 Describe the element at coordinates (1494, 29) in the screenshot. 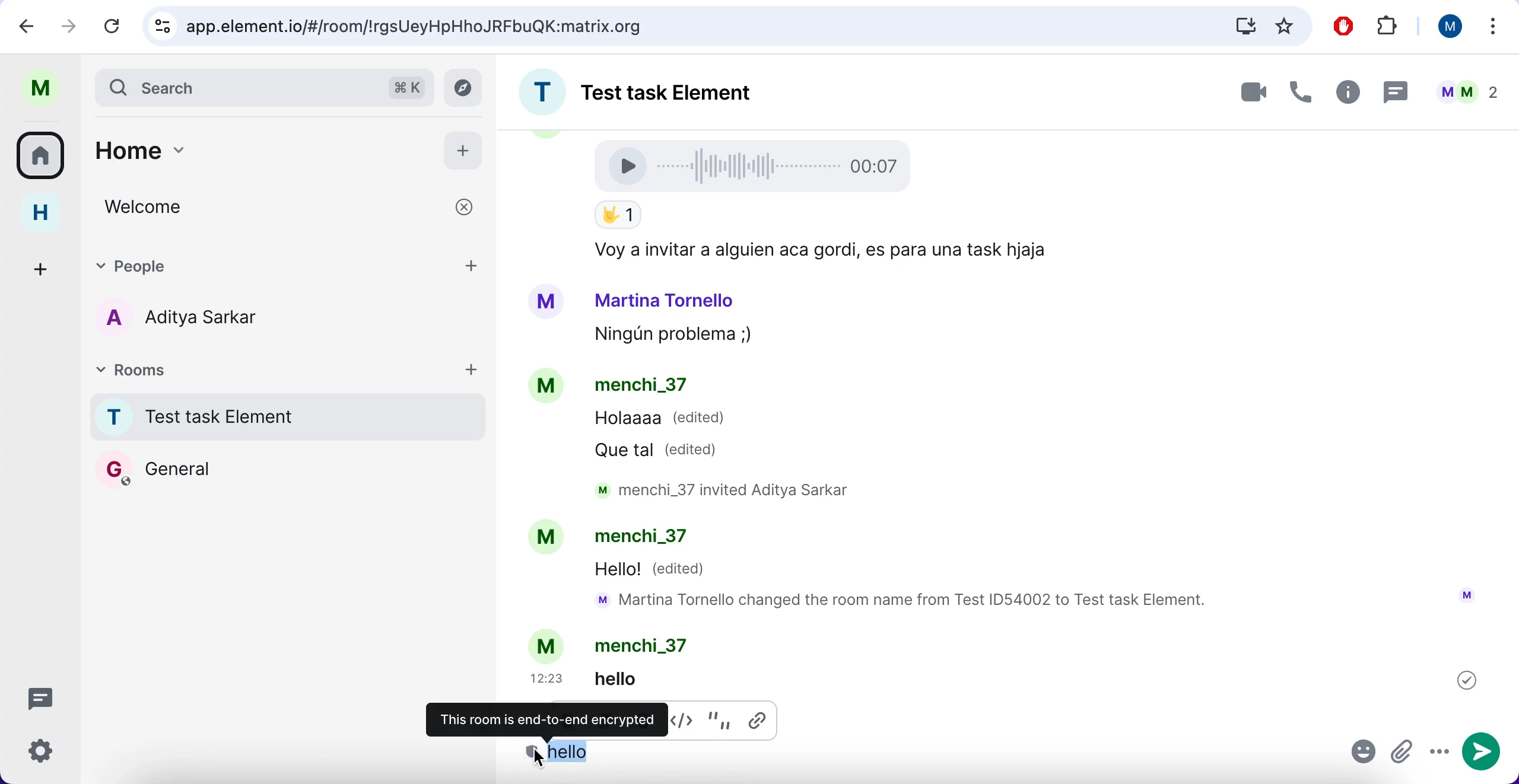

I see `more options` at that location.